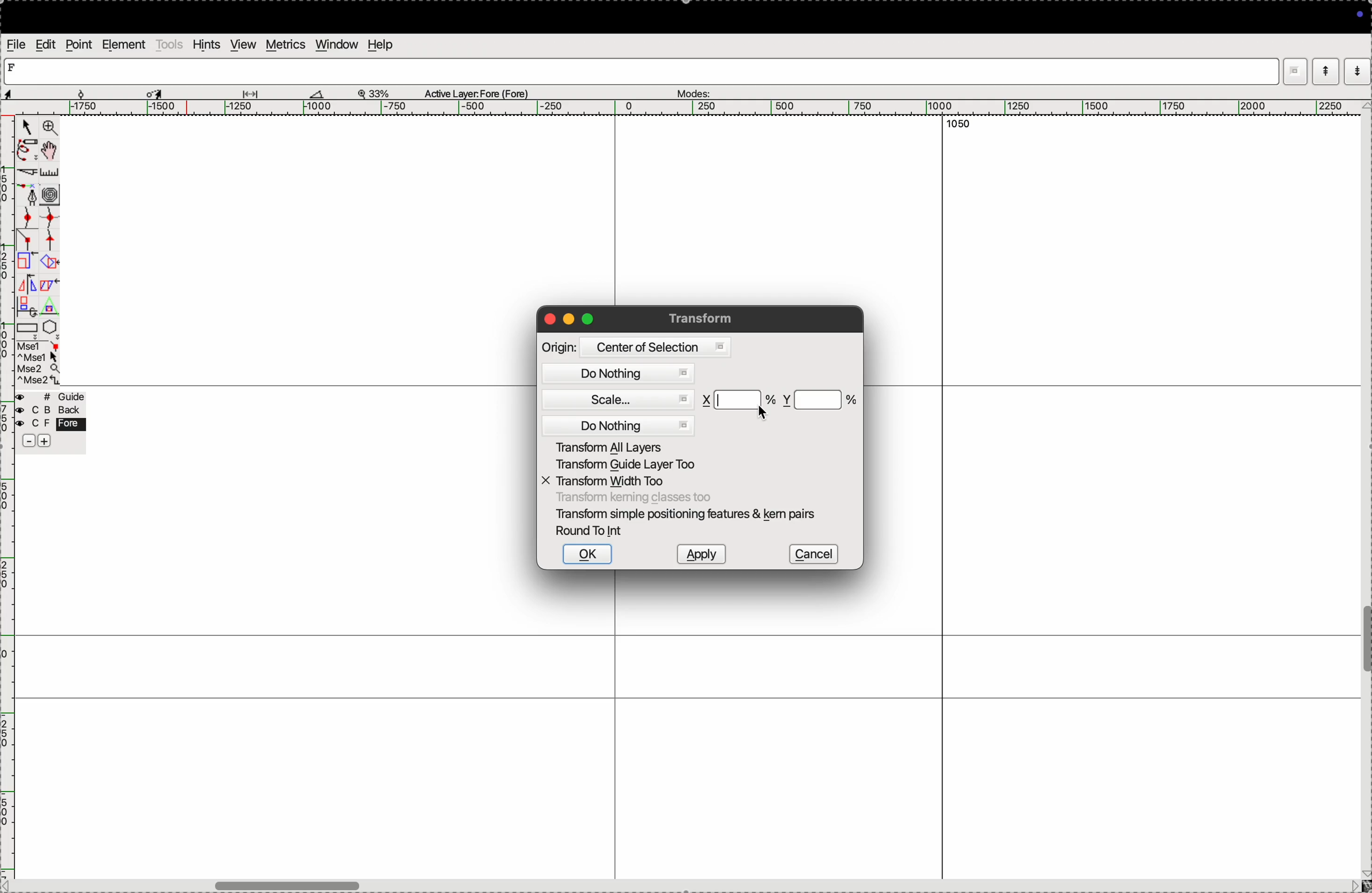  Describe the element at coordinates (49, 306) in the screenshot. I see `Triangle` at that location.